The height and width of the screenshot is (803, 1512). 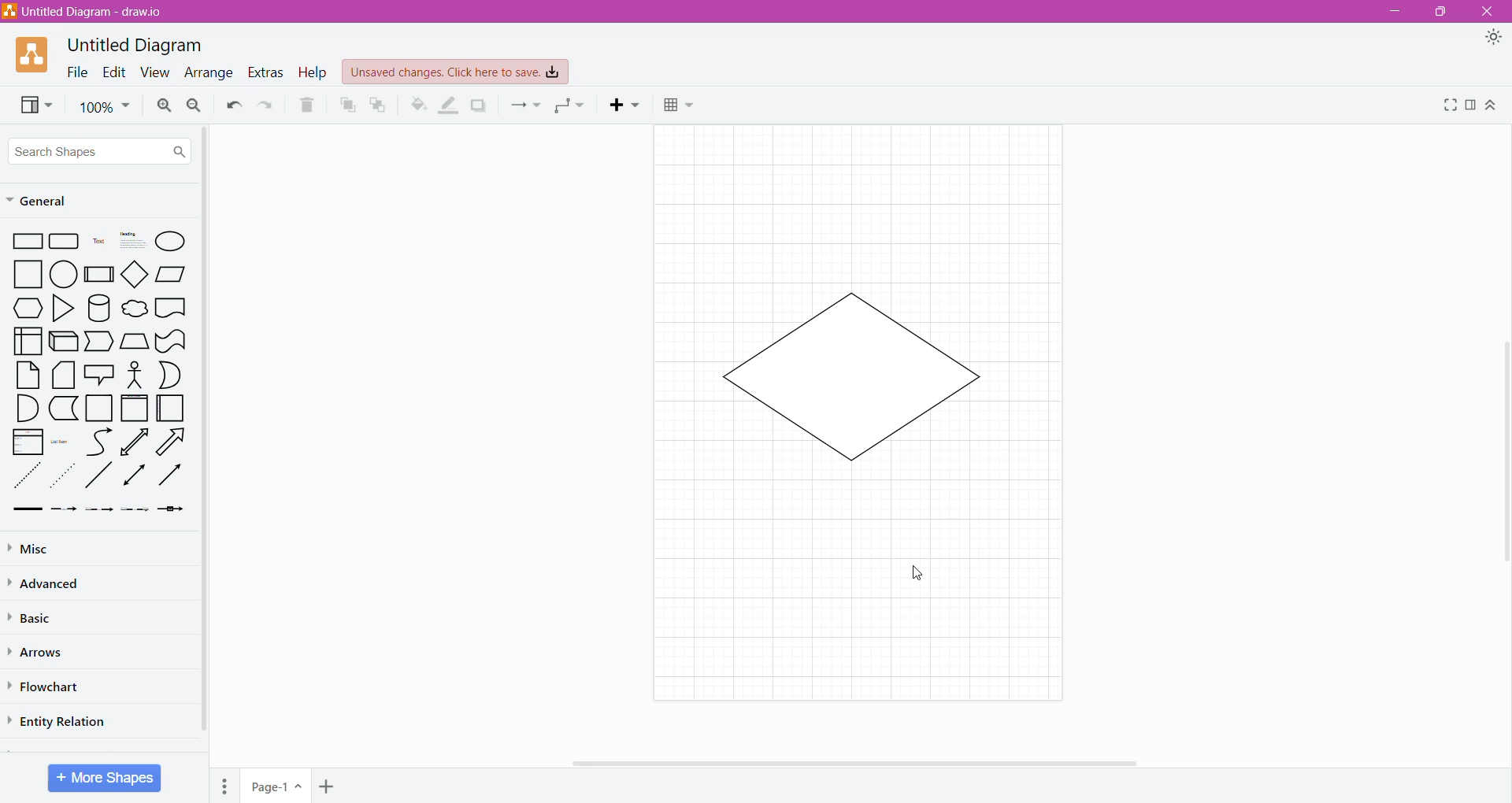 What do you see at coordinates (1441, 11) in the screenshot?
I see `Restore Down` at bounding box center [1441, 11].